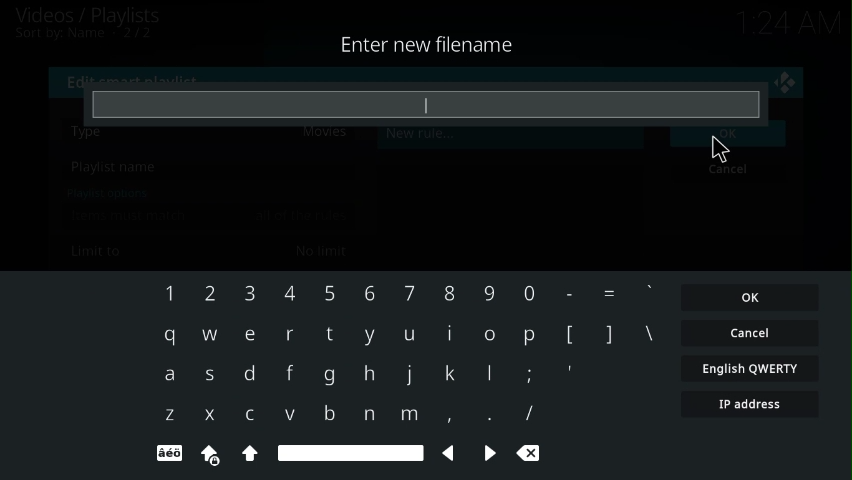  Describe the element at coordinates (247, 333) in the screenshot. I see `e` at that location.